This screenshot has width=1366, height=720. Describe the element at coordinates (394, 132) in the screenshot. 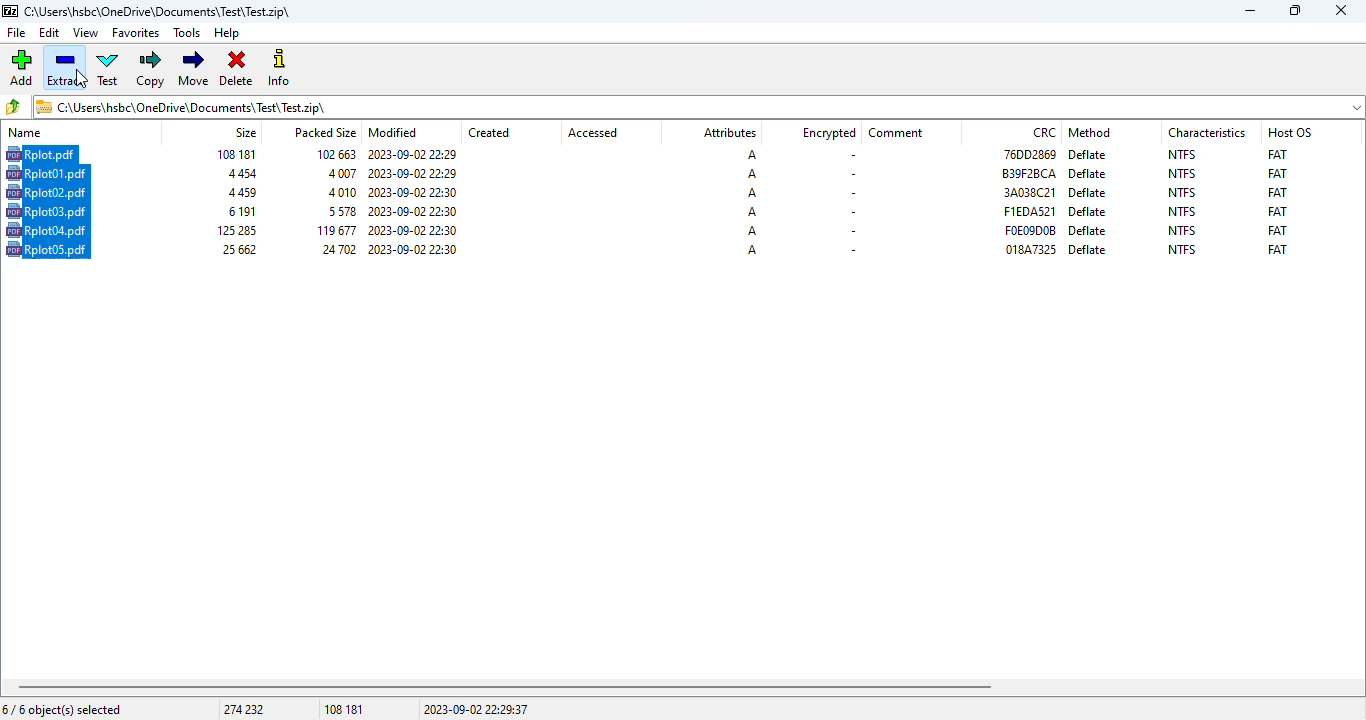

I see `modified` at that location.